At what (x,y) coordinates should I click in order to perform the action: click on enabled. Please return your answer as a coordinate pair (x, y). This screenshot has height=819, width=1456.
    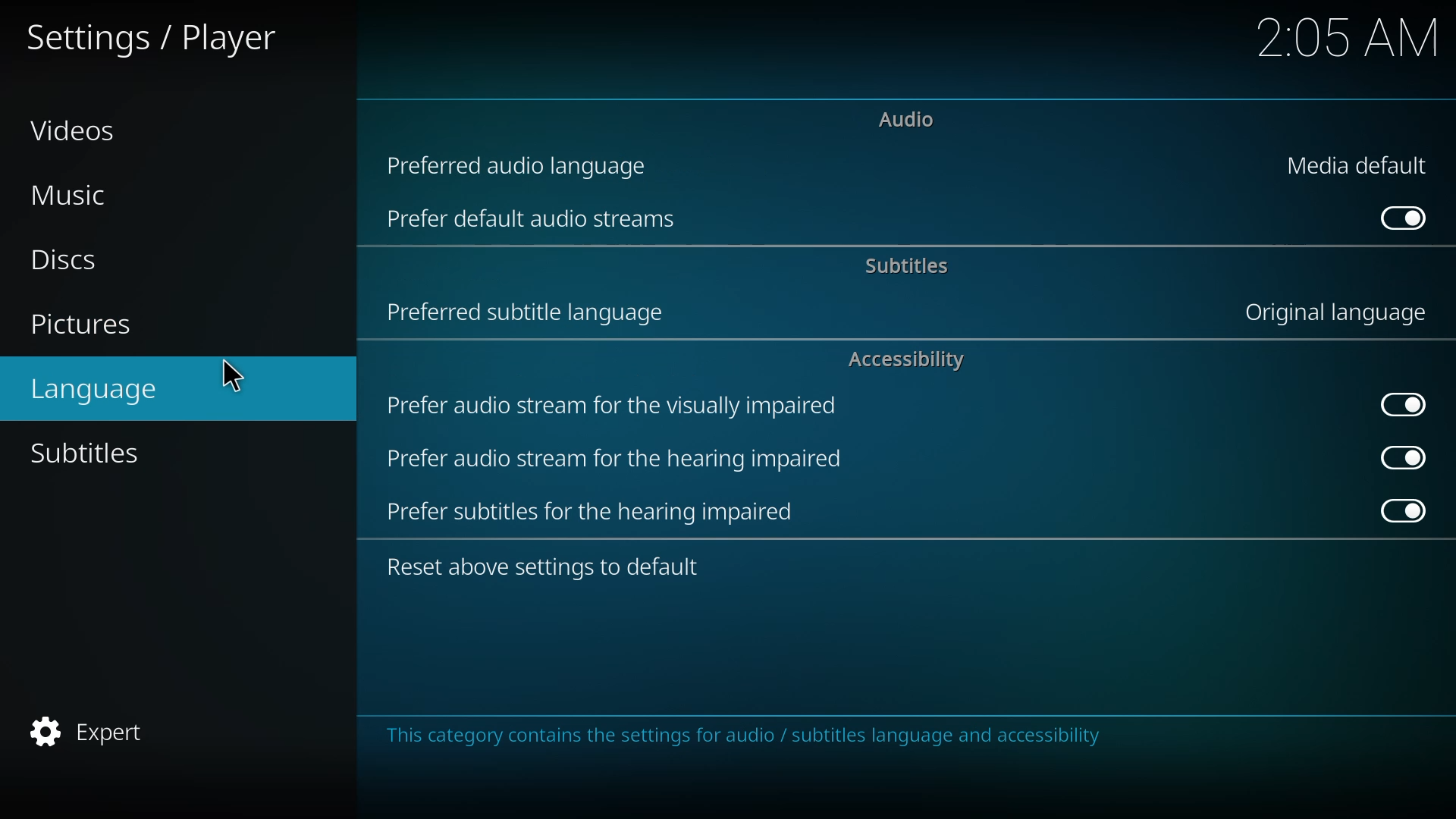
    Looking at the image, I should click on (1403, 512).